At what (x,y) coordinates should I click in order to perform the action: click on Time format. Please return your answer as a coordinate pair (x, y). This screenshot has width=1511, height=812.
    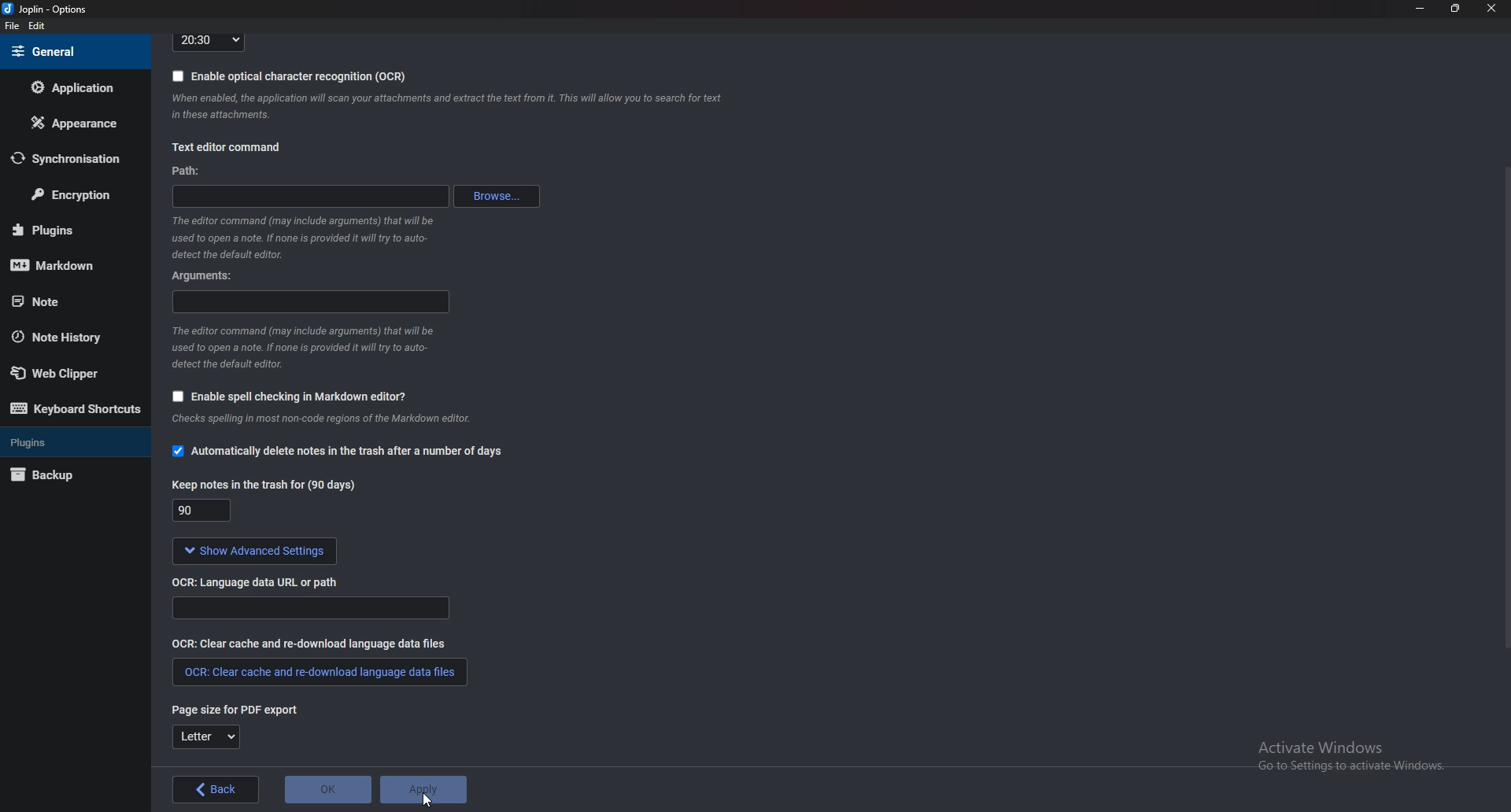
    Looking at the image, I should click on (209, 41).